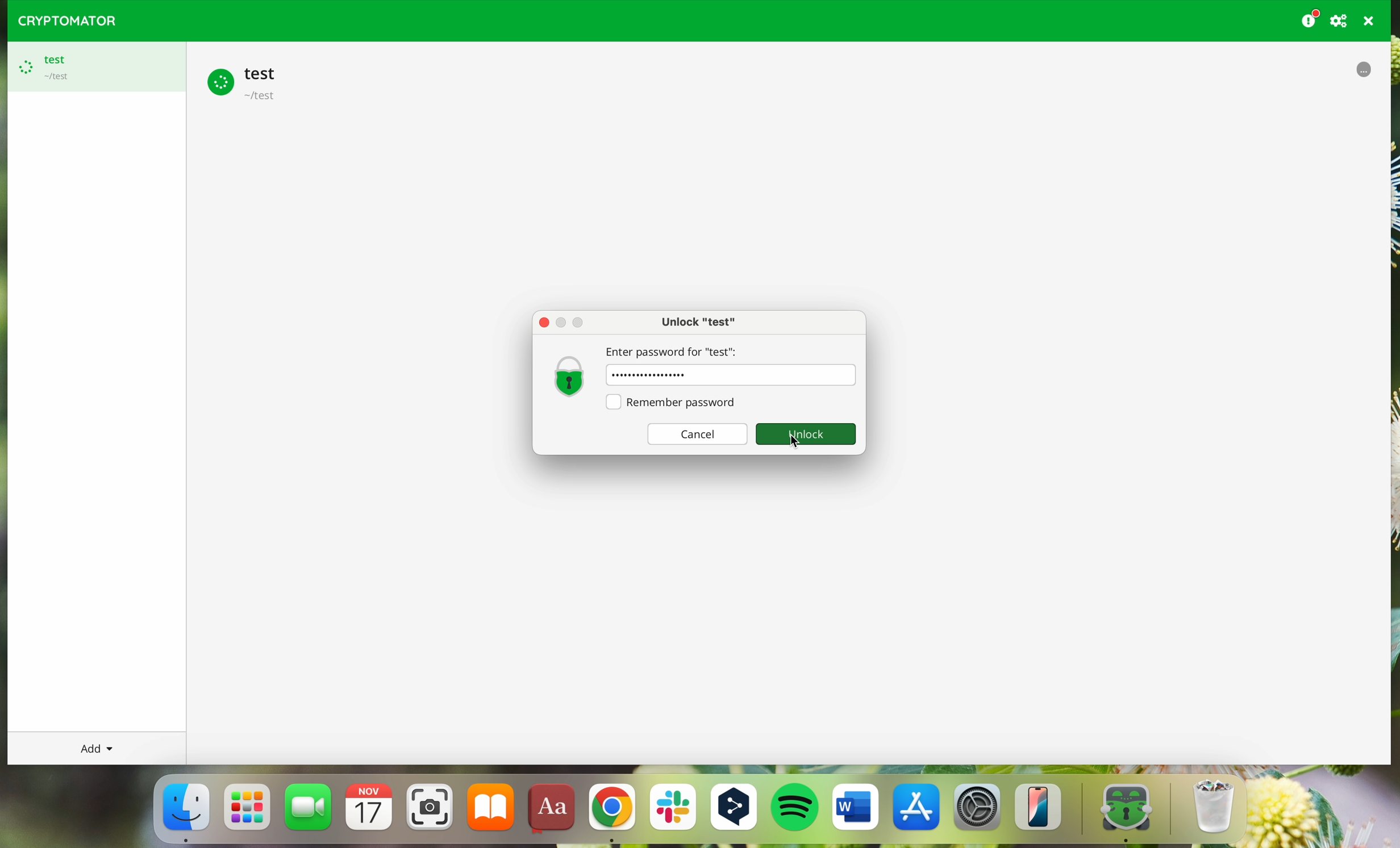 The width and height of the screenshot is (1400, 848). I want to click on Google Chrome, so click(611, 813).